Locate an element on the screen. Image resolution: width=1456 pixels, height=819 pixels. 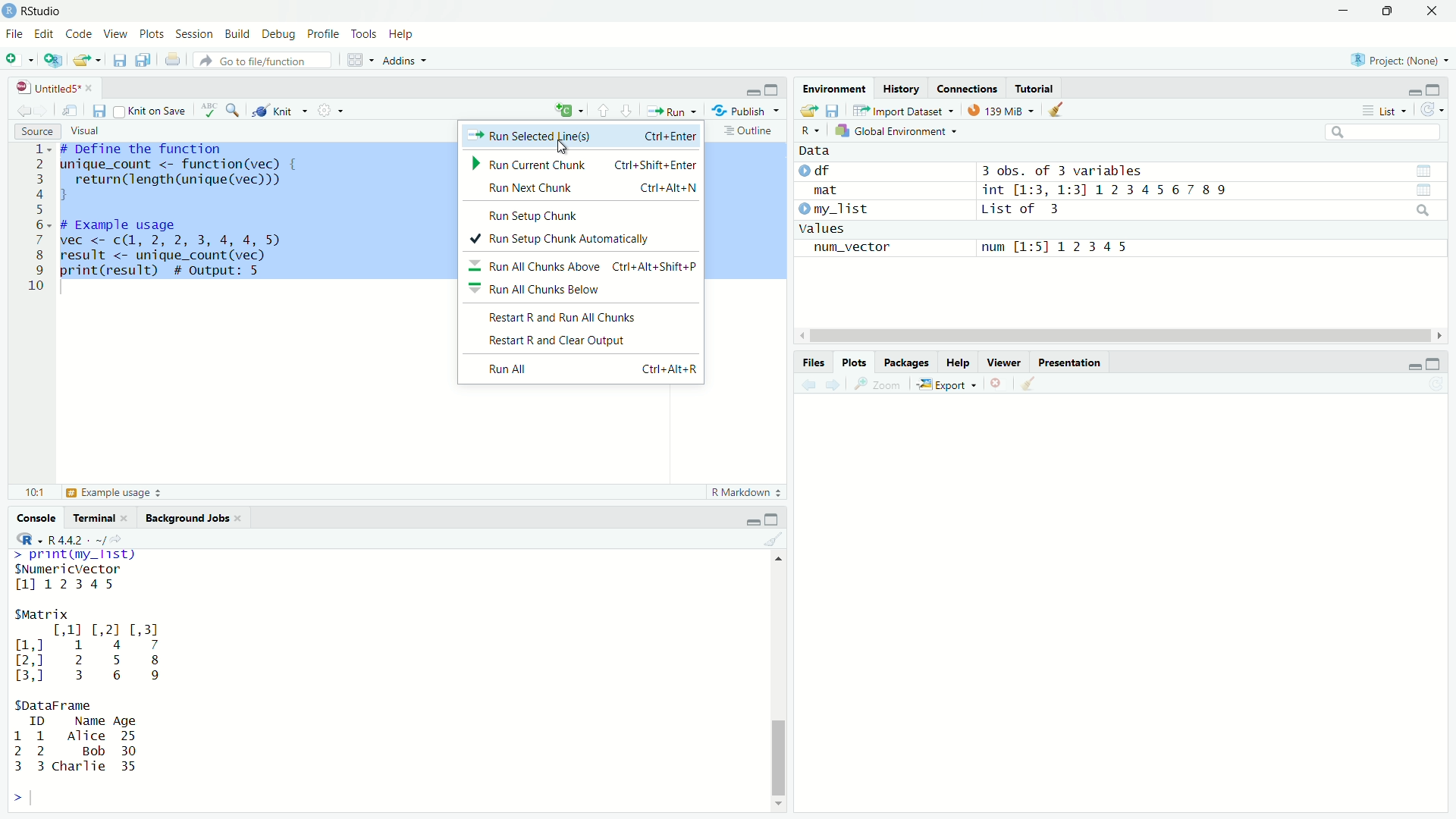
List is located at coordinates (1385, 111).